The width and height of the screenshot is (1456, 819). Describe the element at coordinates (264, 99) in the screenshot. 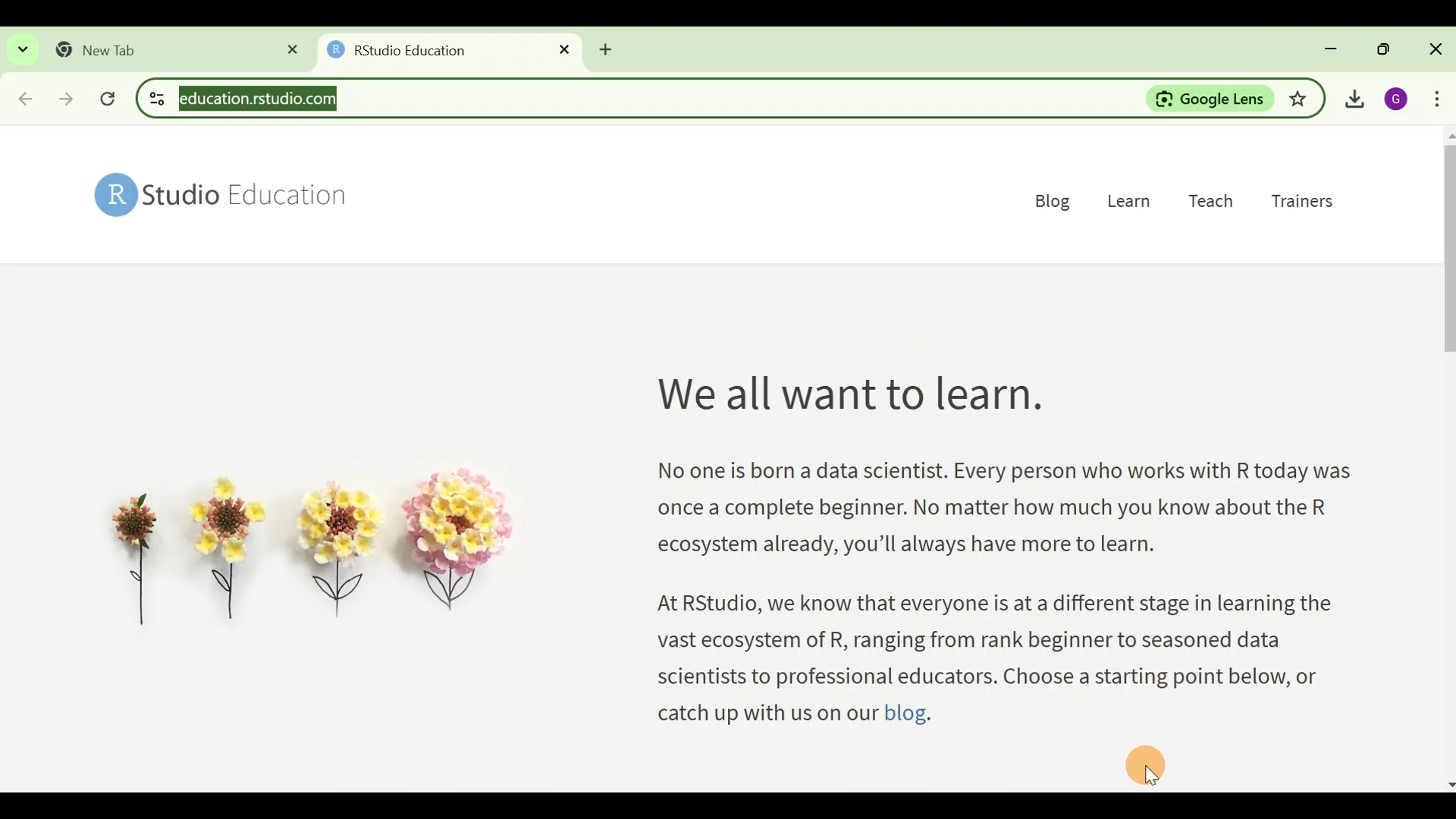

I see `education.rstudio.com` at that location.